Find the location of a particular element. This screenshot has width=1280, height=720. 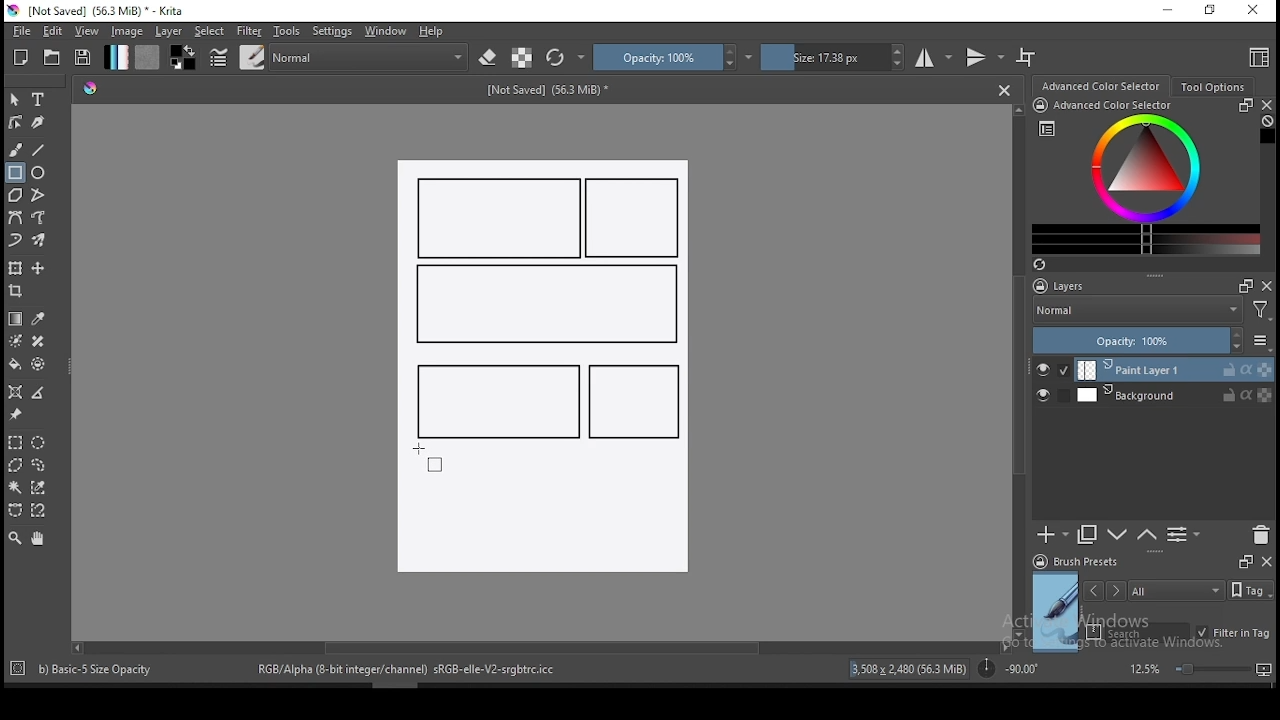

gradient tool is located at coordinates (16, 319).